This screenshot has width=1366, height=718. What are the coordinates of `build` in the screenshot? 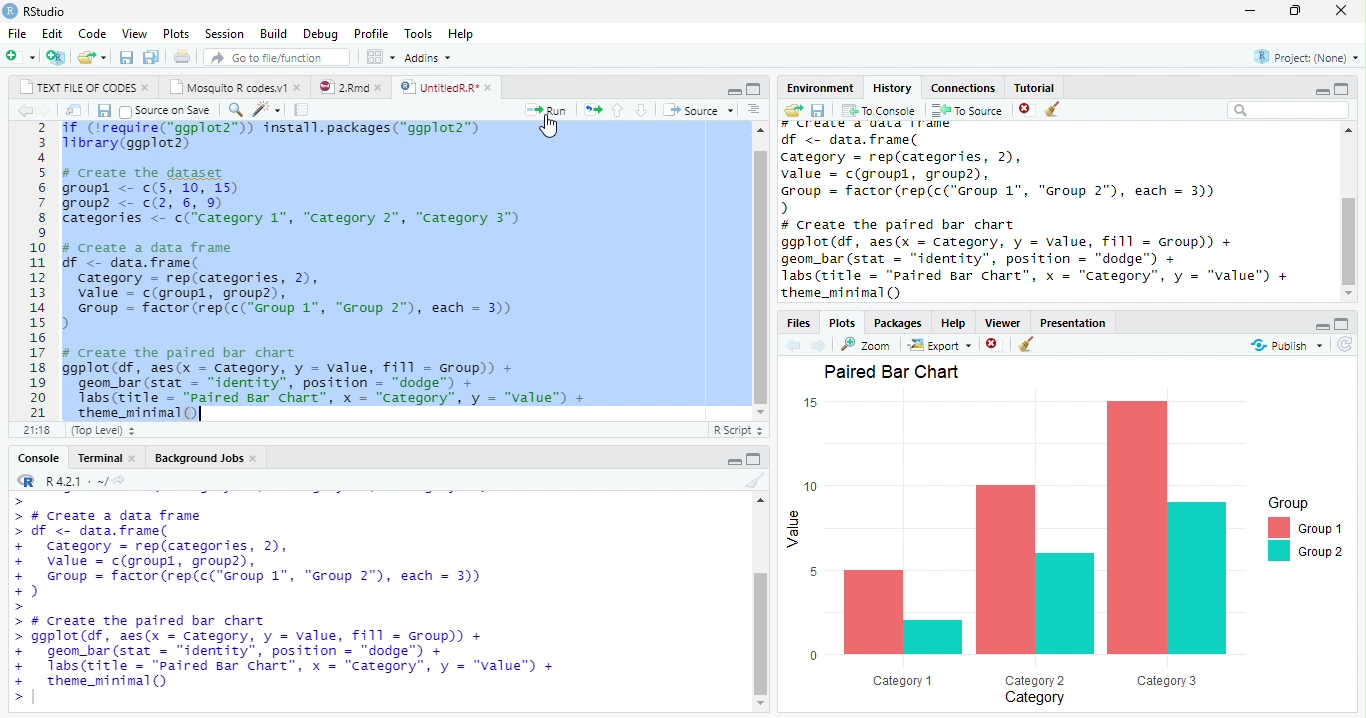 It's located at (273, 31).